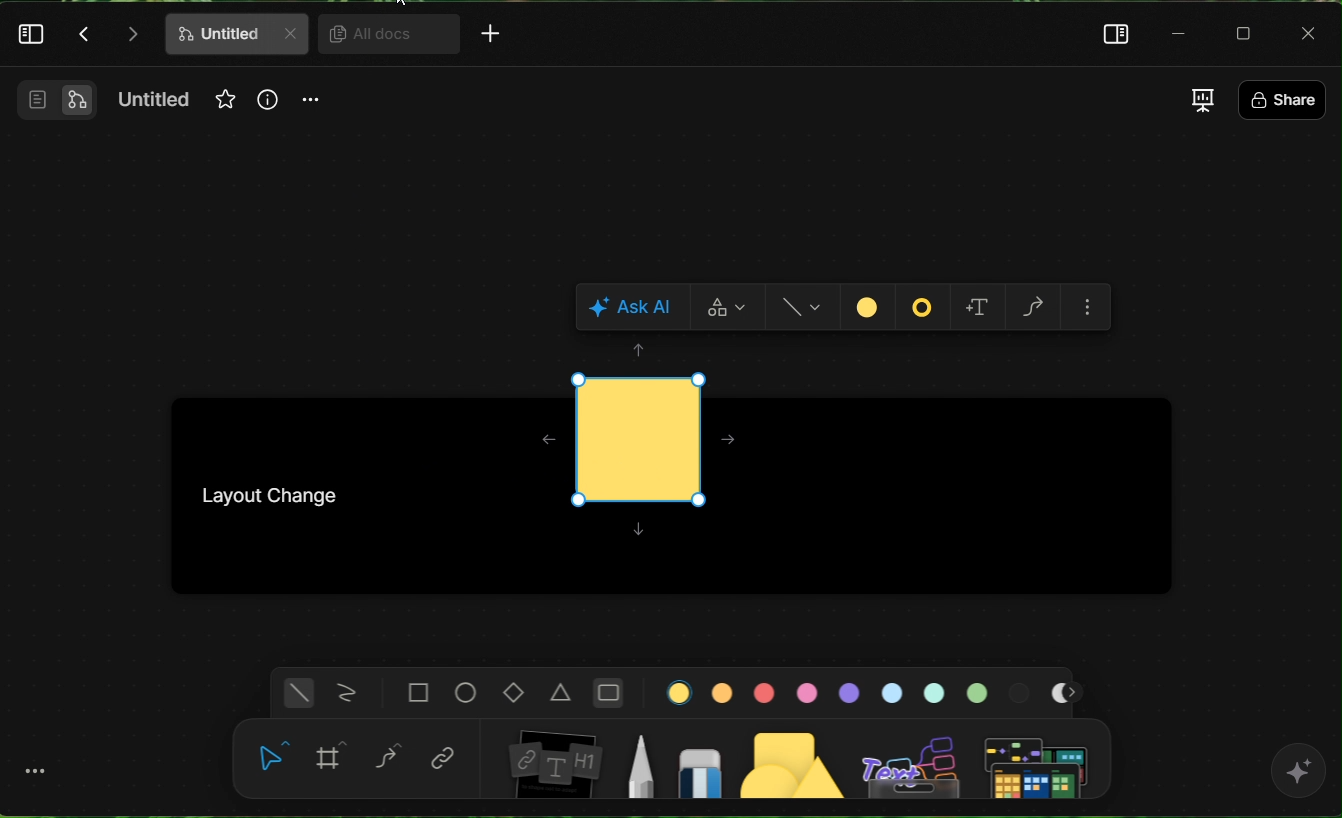  I want to click on share, so click(1281, 98).